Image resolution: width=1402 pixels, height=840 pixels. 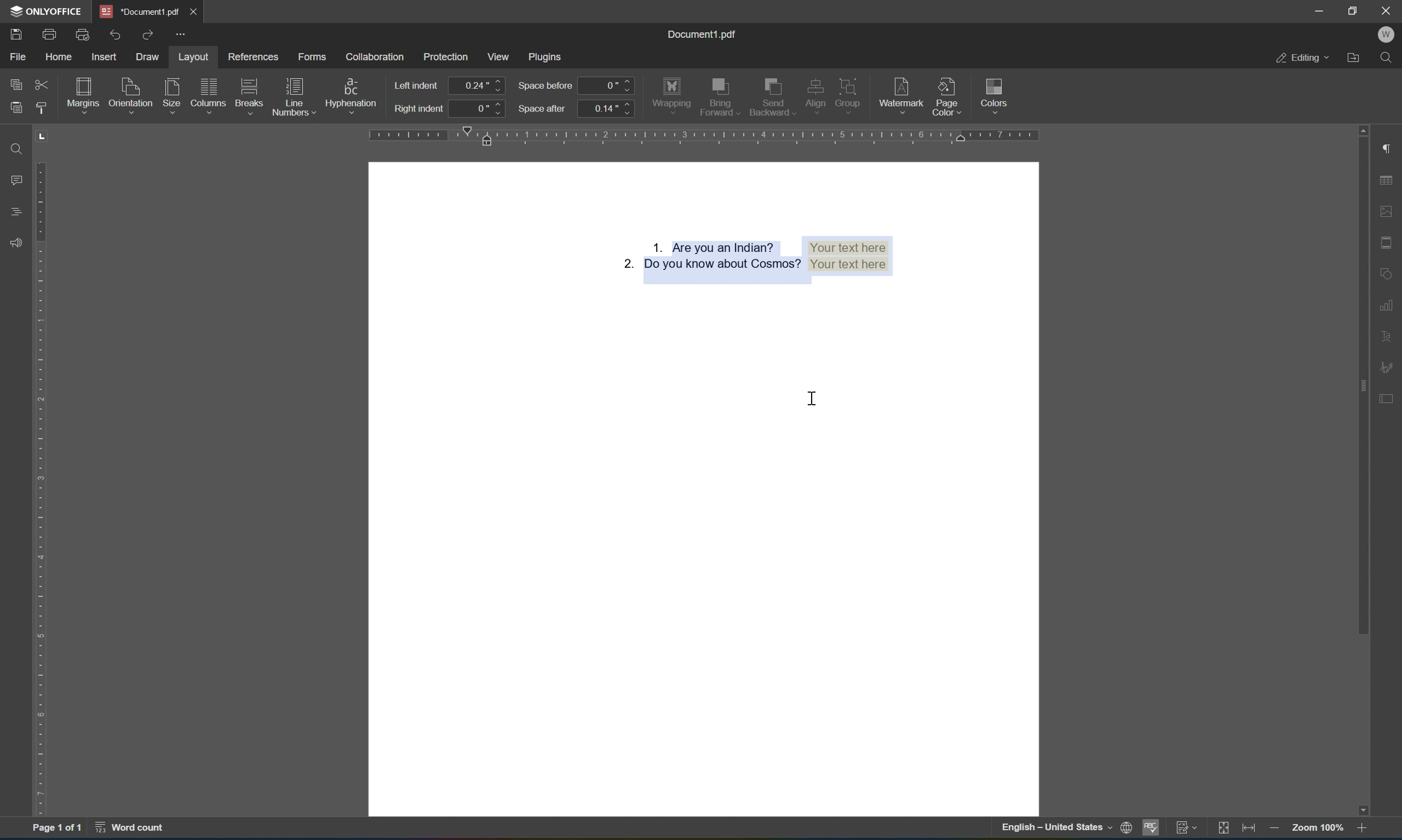 What do you see at coordinates (1364, 830) in the screenshot?
I see `zoom in` at bounding box center [1364, 830].